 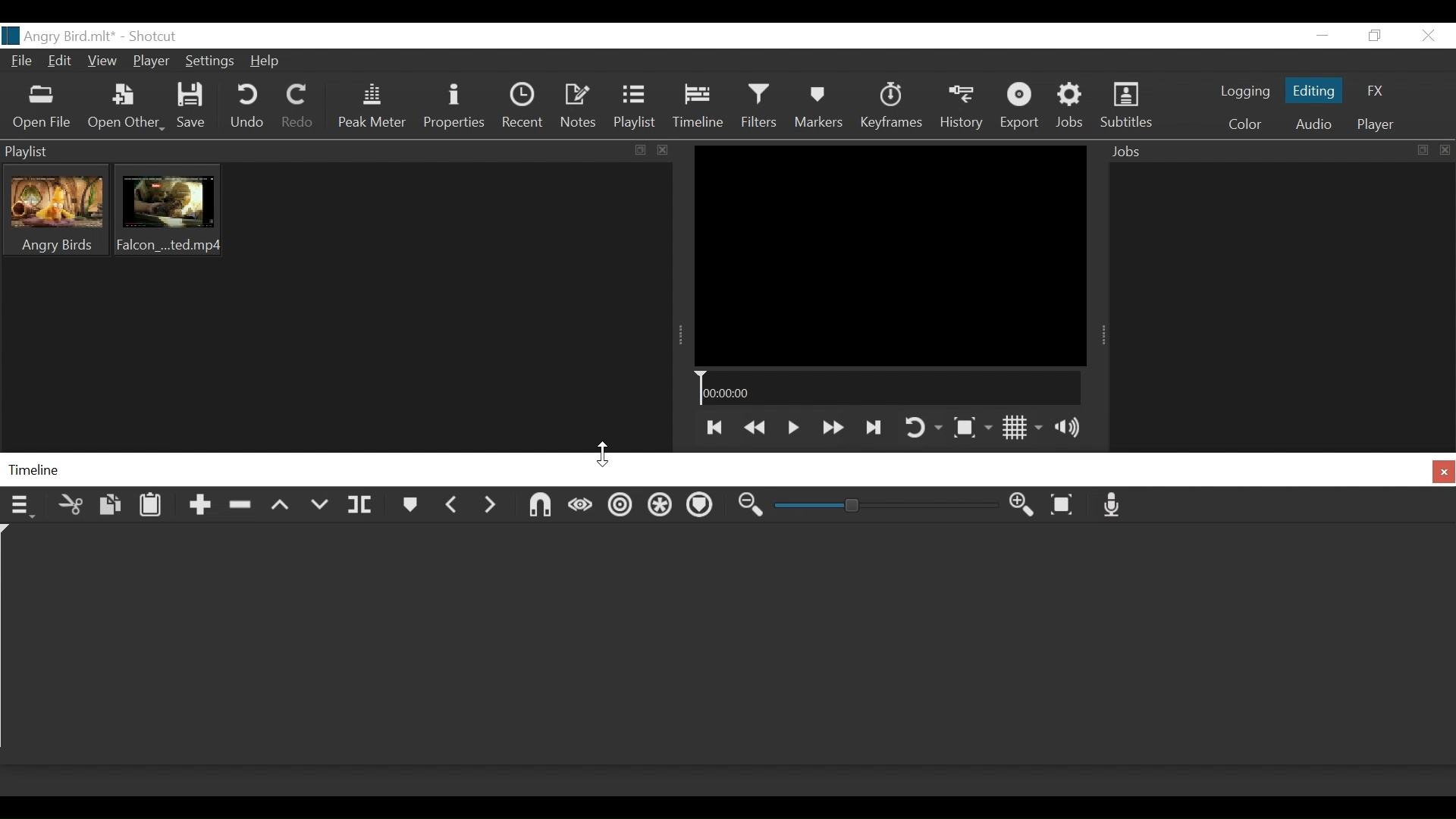 I want to click on Close, so click(x=1427, y=35).